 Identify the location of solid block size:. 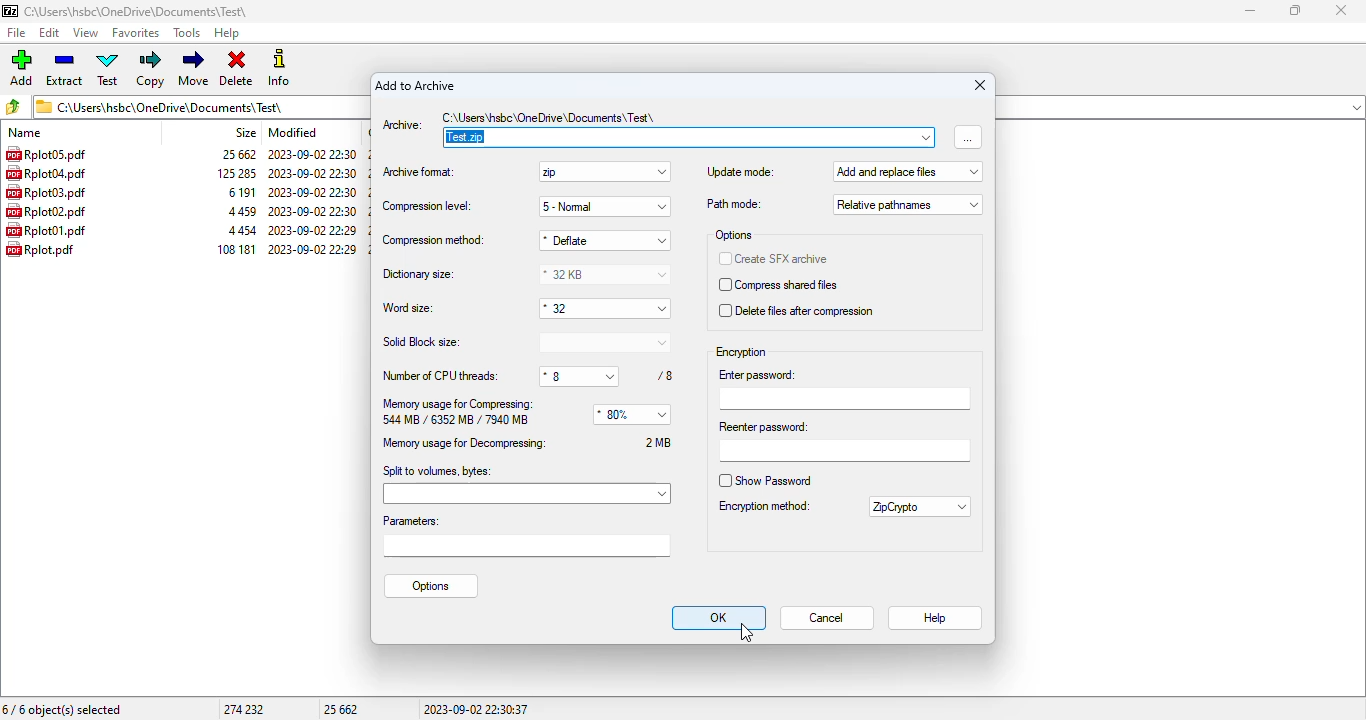
(528, 341).